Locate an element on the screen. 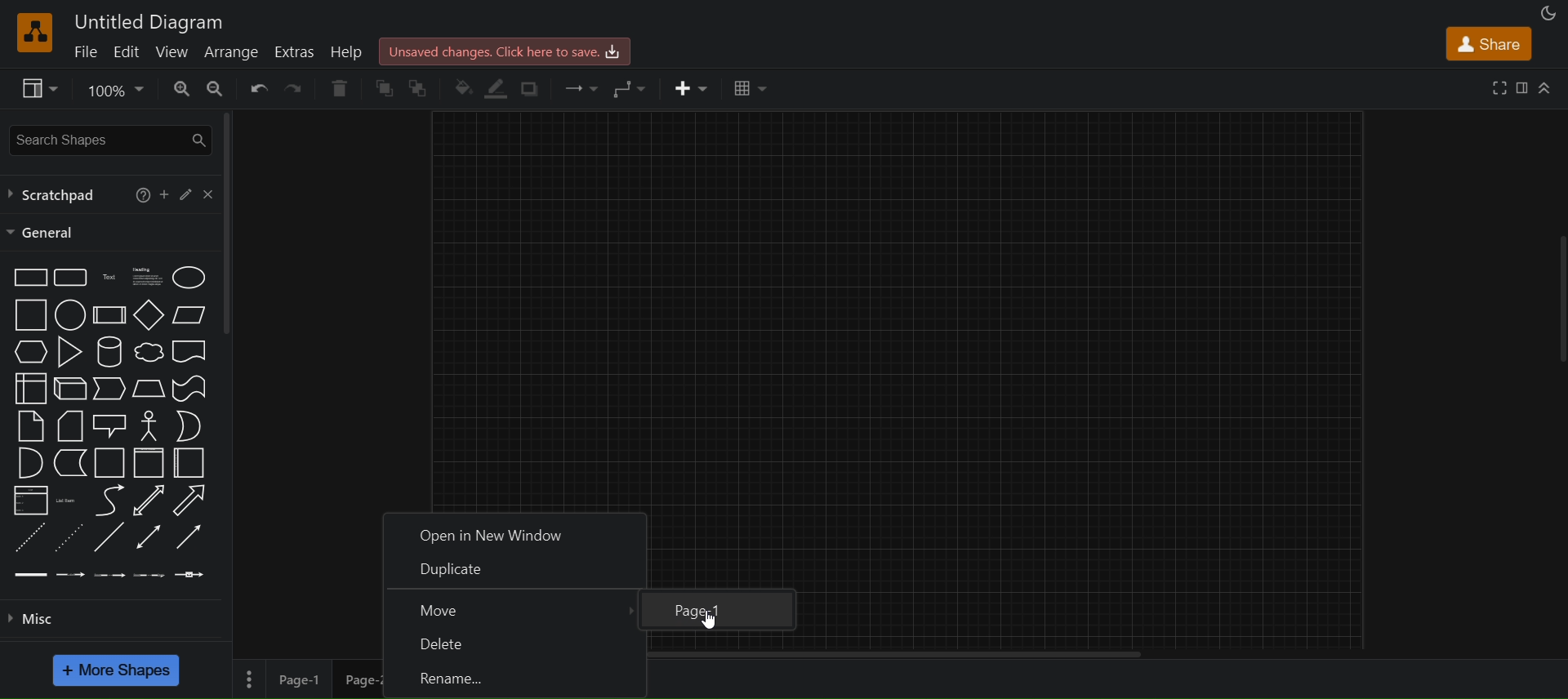 The height and width of the screenshot is (699, 1568). arrange is located at coordinates (232, 55).